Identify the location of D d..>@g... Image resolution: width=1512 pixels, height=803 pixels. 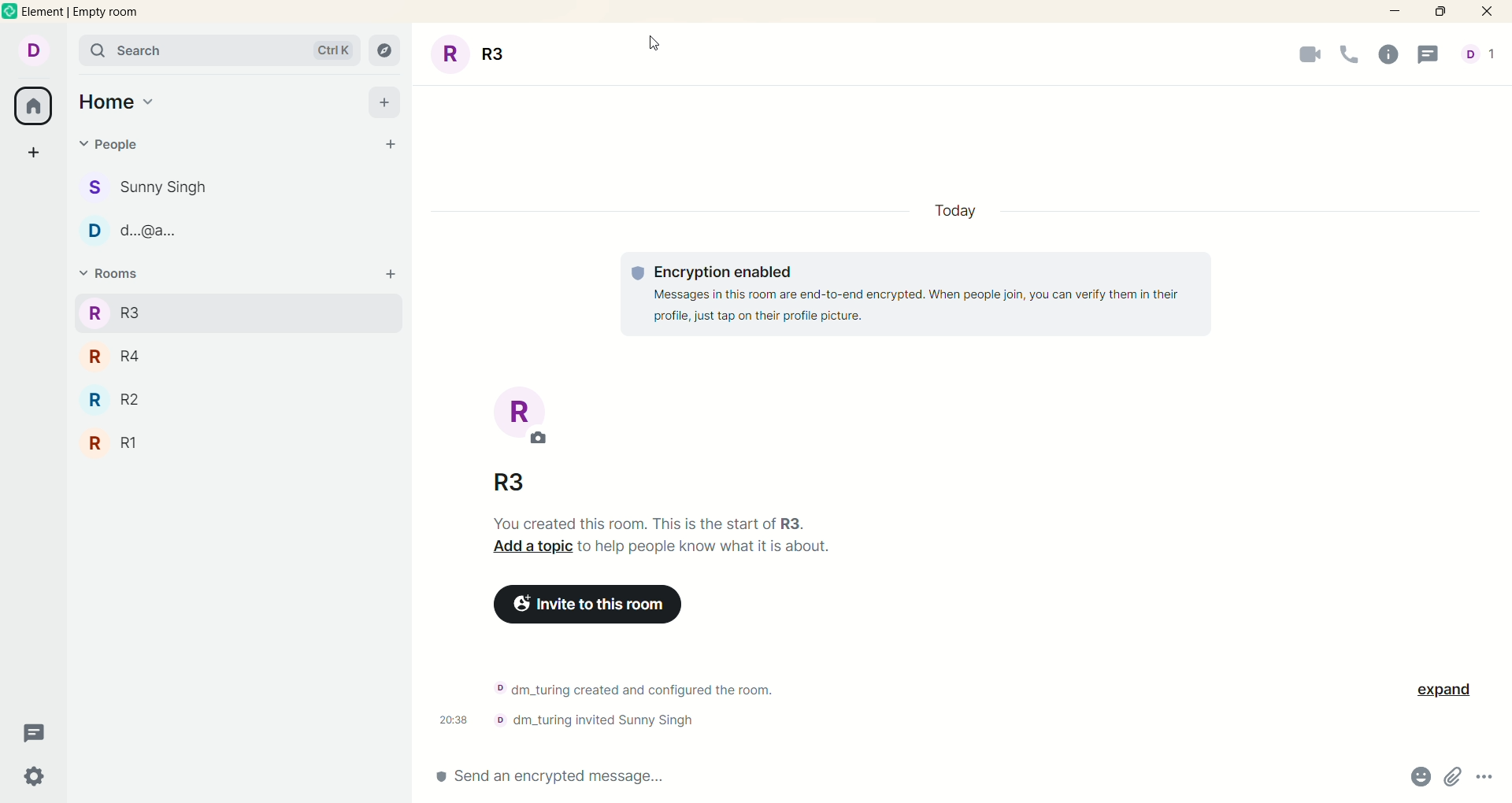
(139, 227).